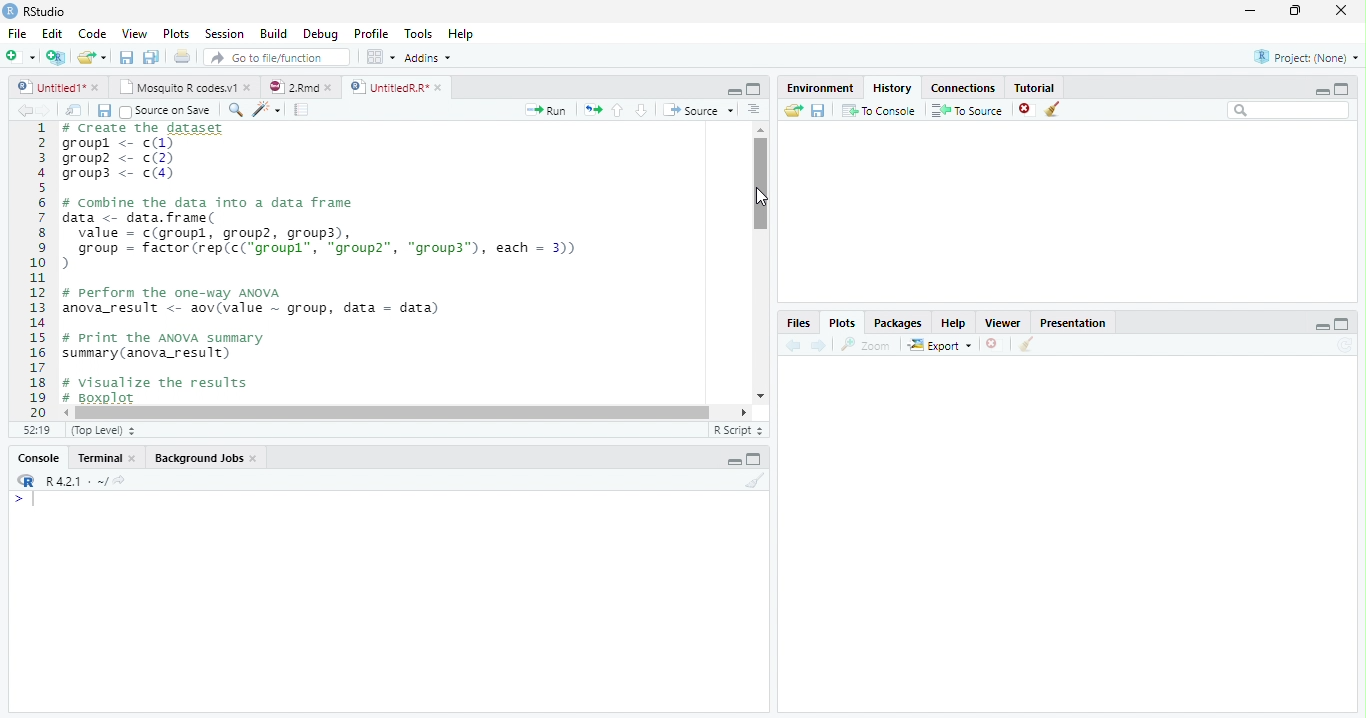 This screenshot has height=718, width=1366. I want to click on background jobs, so click(207, 460).